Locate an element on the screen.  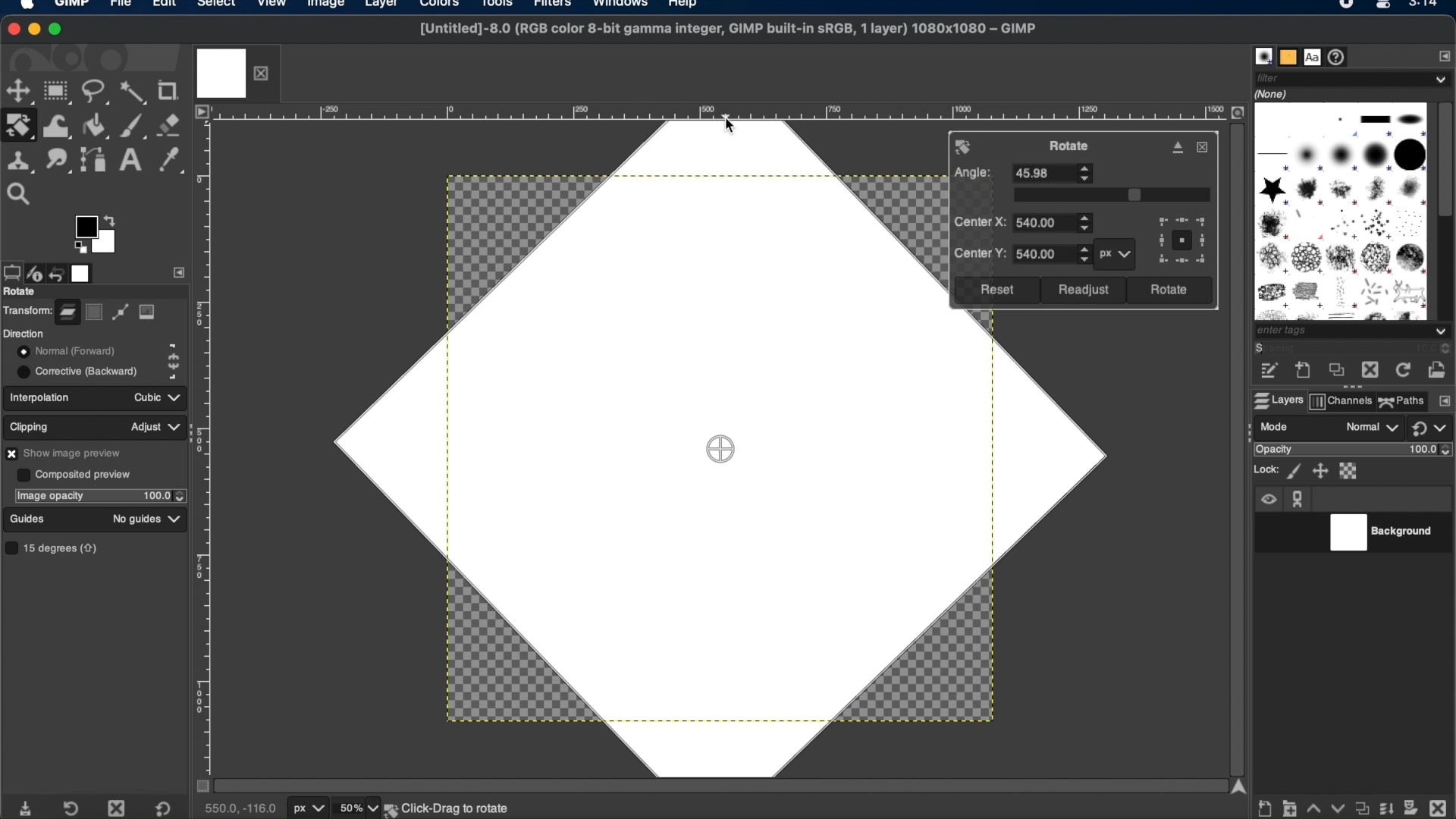
scroll bar is located at coordinates (1235, 445).